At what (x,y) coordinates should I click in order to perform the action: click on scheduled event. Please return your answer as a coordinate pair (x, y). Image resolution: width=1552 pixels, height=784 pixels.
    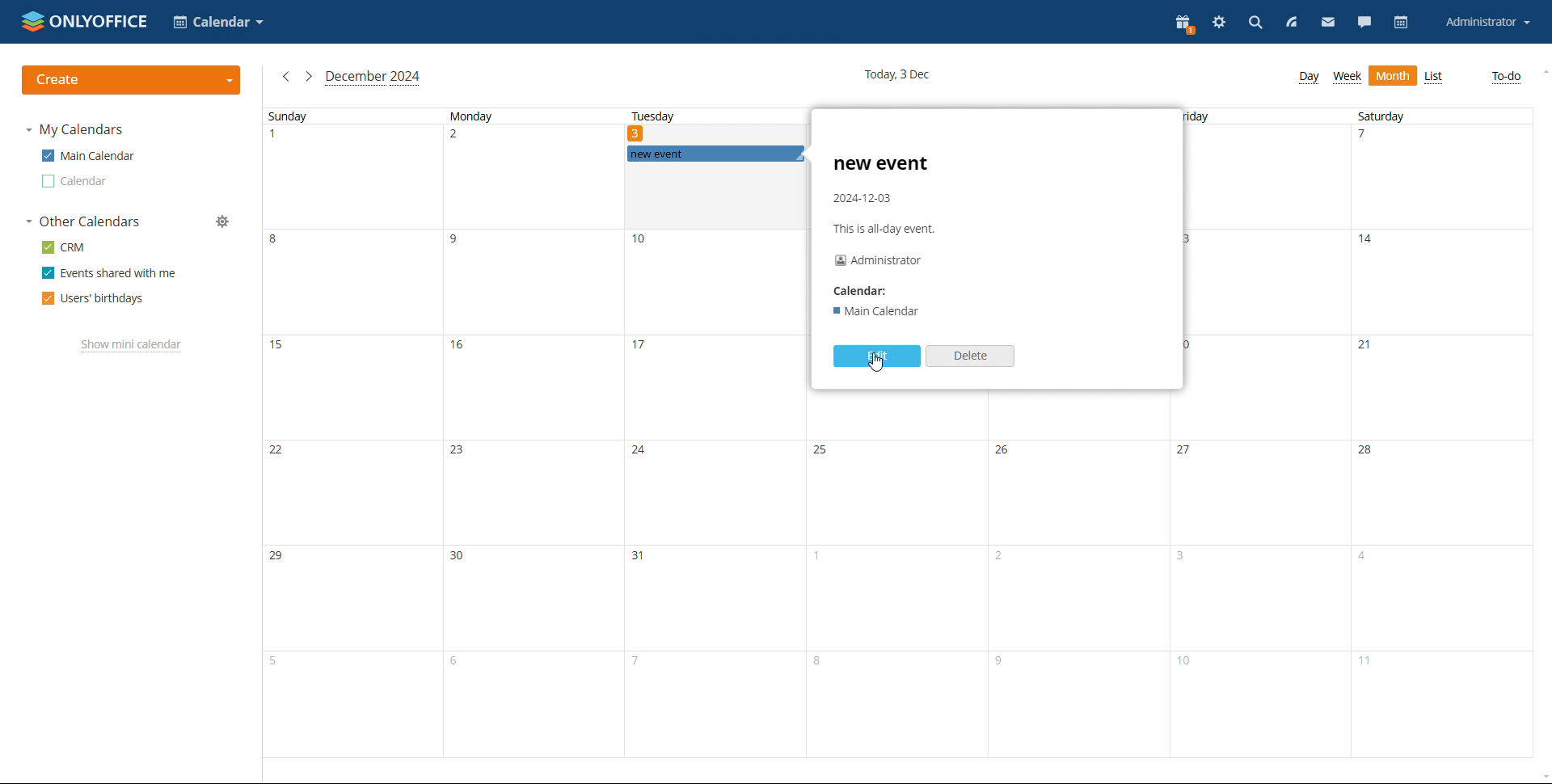
    Looking at the image, I should click on (715, 154).